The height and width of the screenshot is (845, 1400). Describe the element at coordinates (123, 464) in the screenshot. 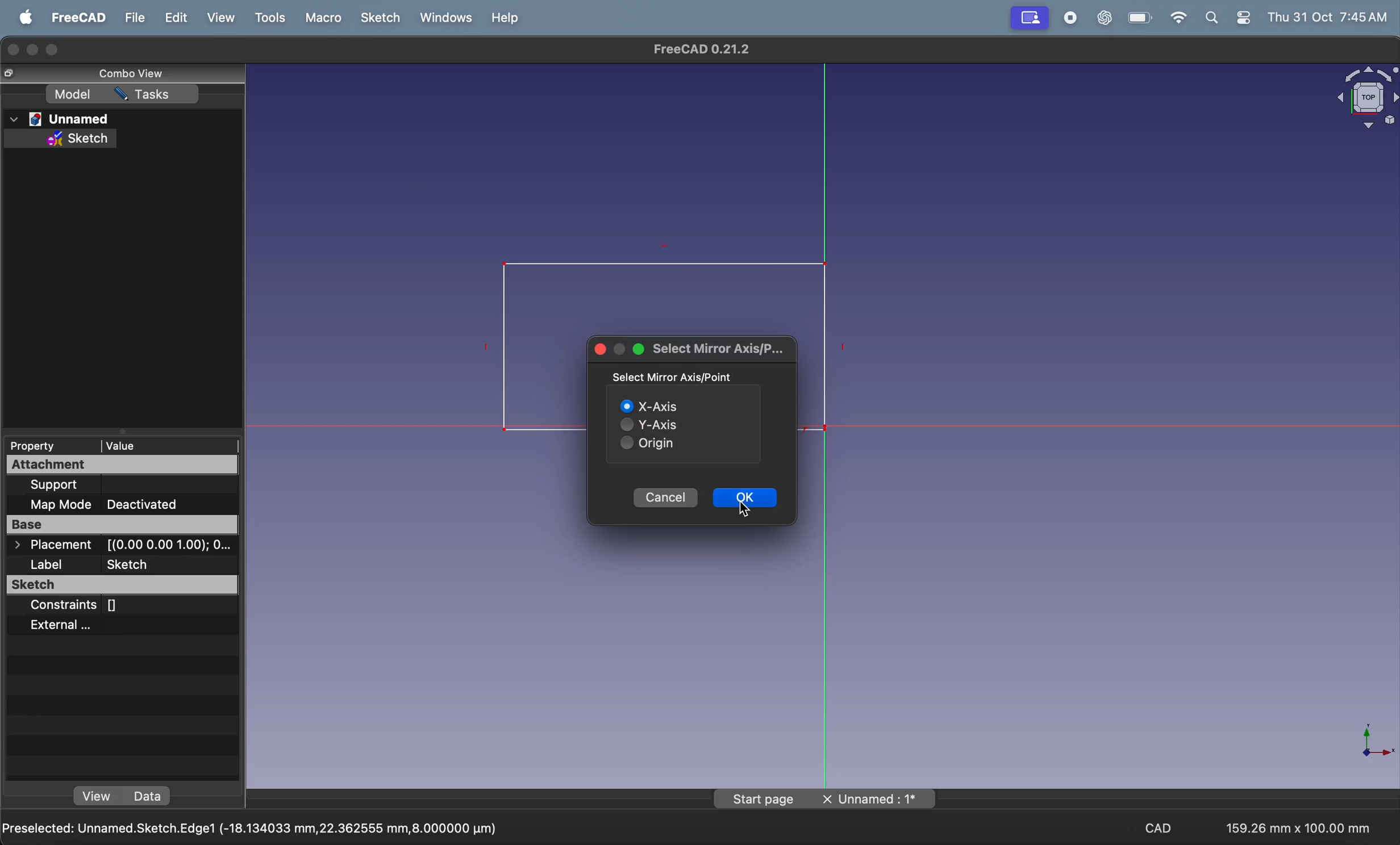

I see `attachment` at that location.